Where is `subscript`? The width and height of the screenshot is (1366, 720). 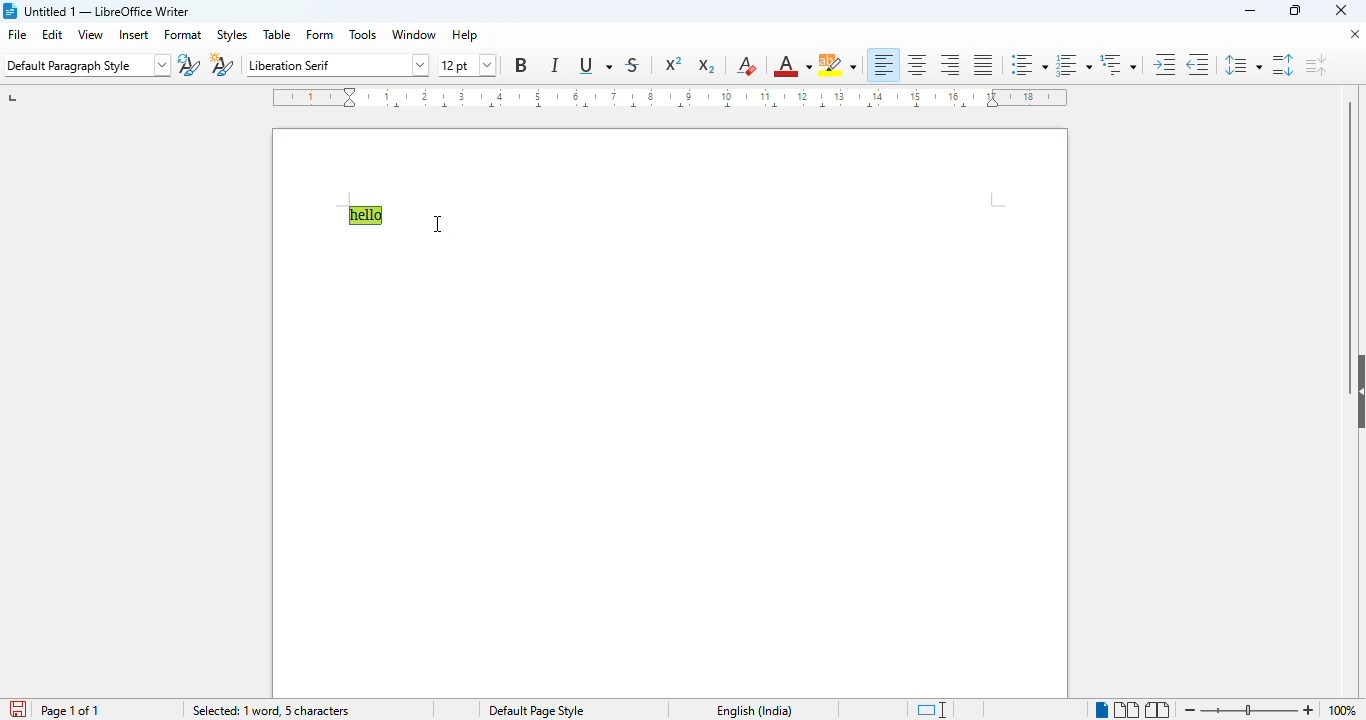 subscript is located at coordinates (705, 65).